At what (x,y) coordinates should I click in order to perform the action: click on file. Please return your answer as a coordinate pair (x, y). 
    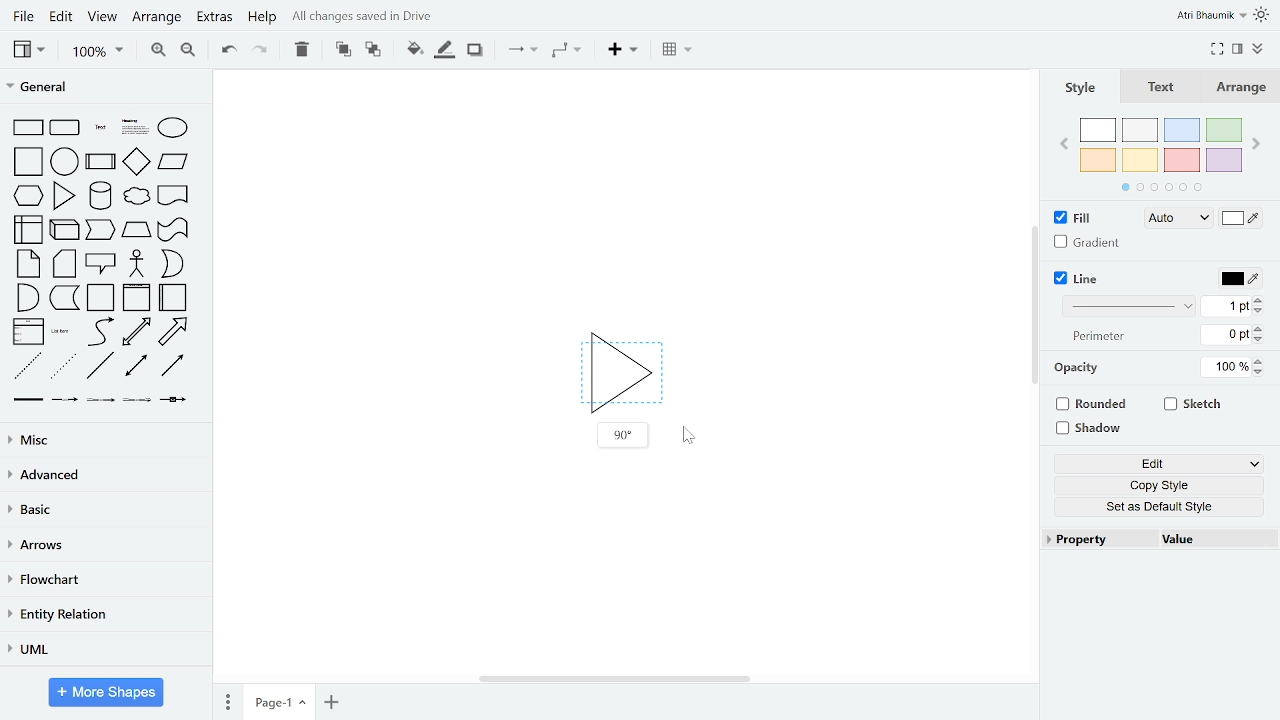
    Looking at the image, I should click on (22, 16).